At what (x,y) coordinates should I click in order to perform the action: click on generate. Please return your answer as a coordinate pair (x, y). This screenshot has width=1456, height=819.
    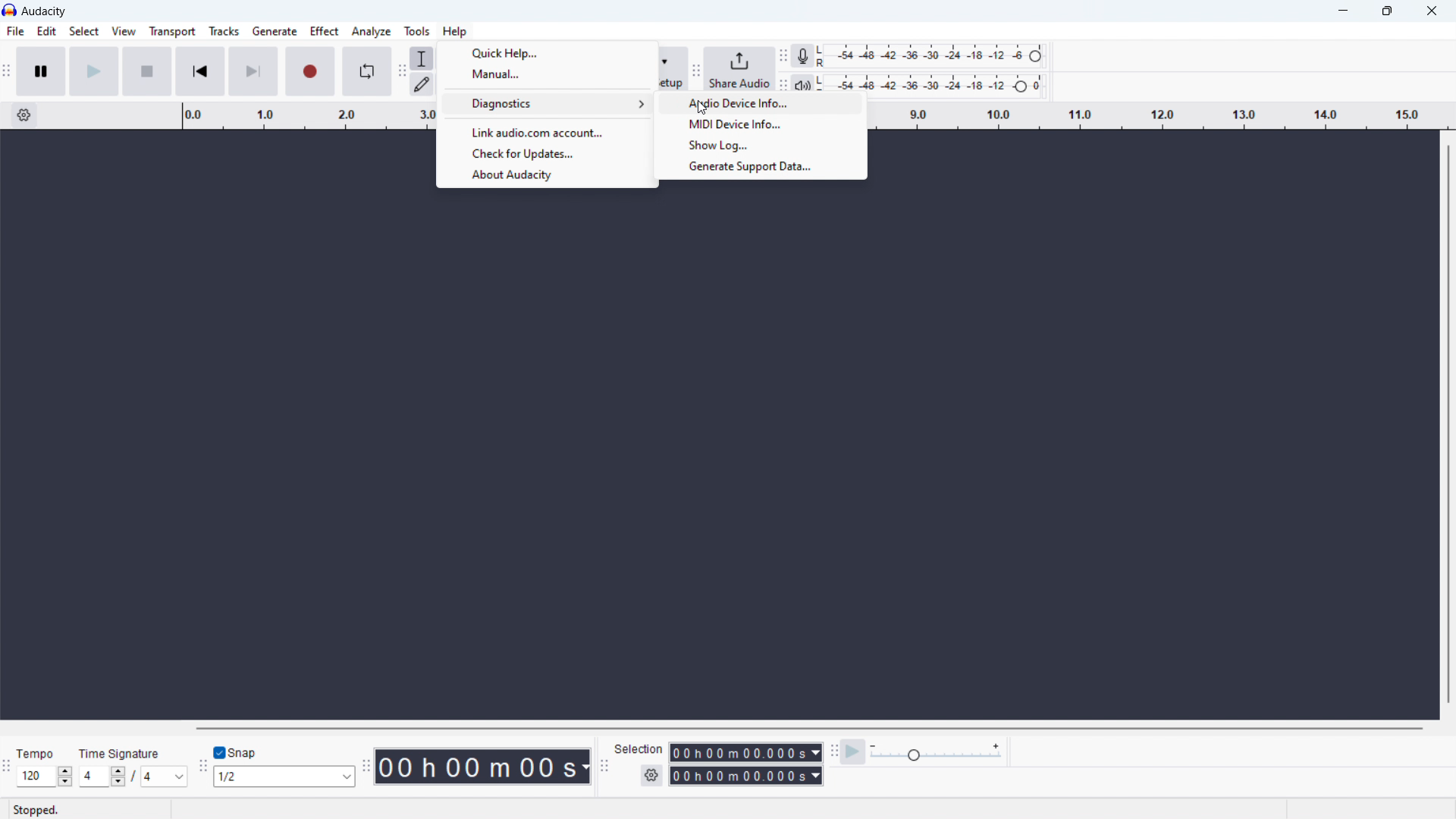
    Looking at the image, I should click on (275, 31).